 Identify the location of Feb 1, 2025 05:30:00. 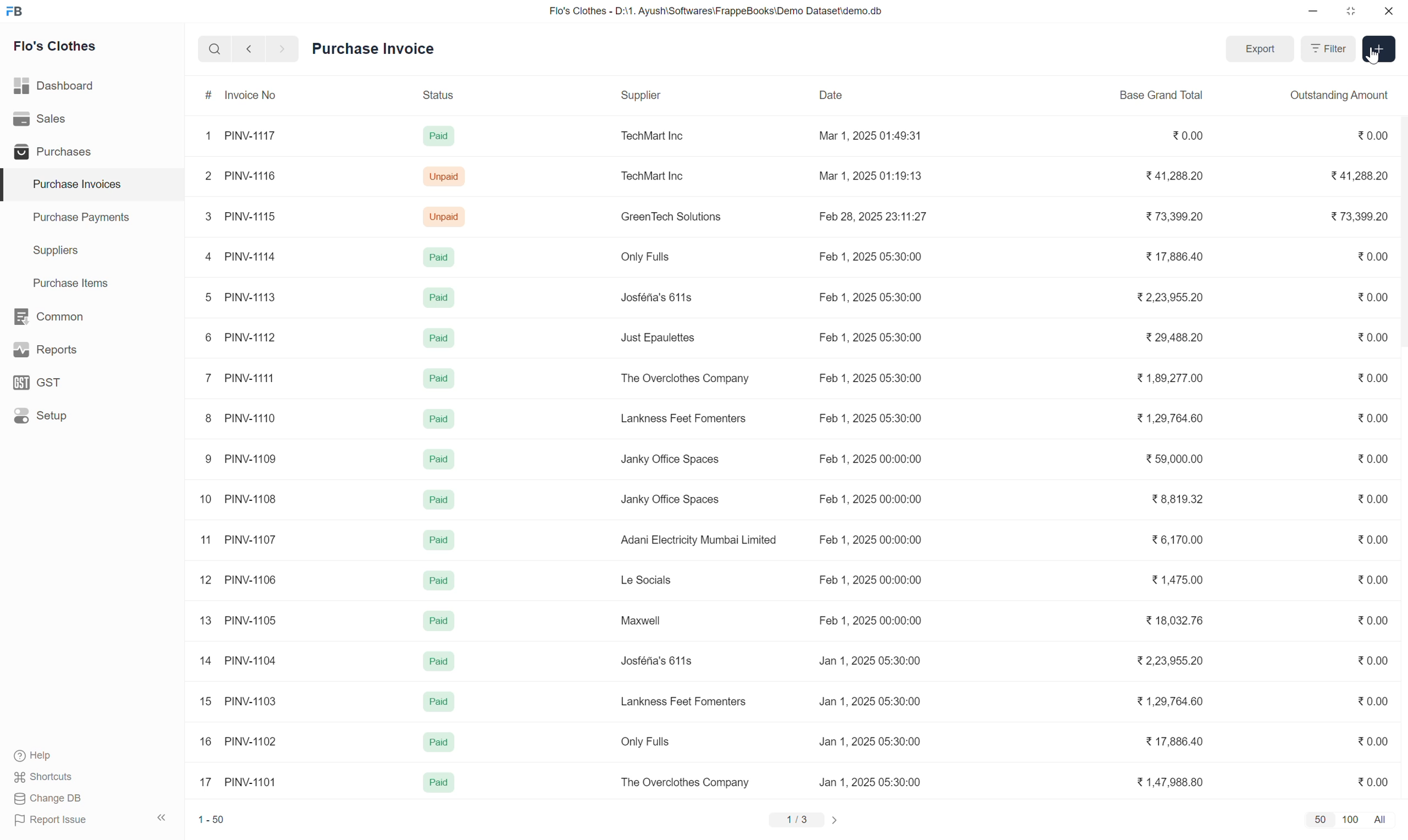
(871, 418).